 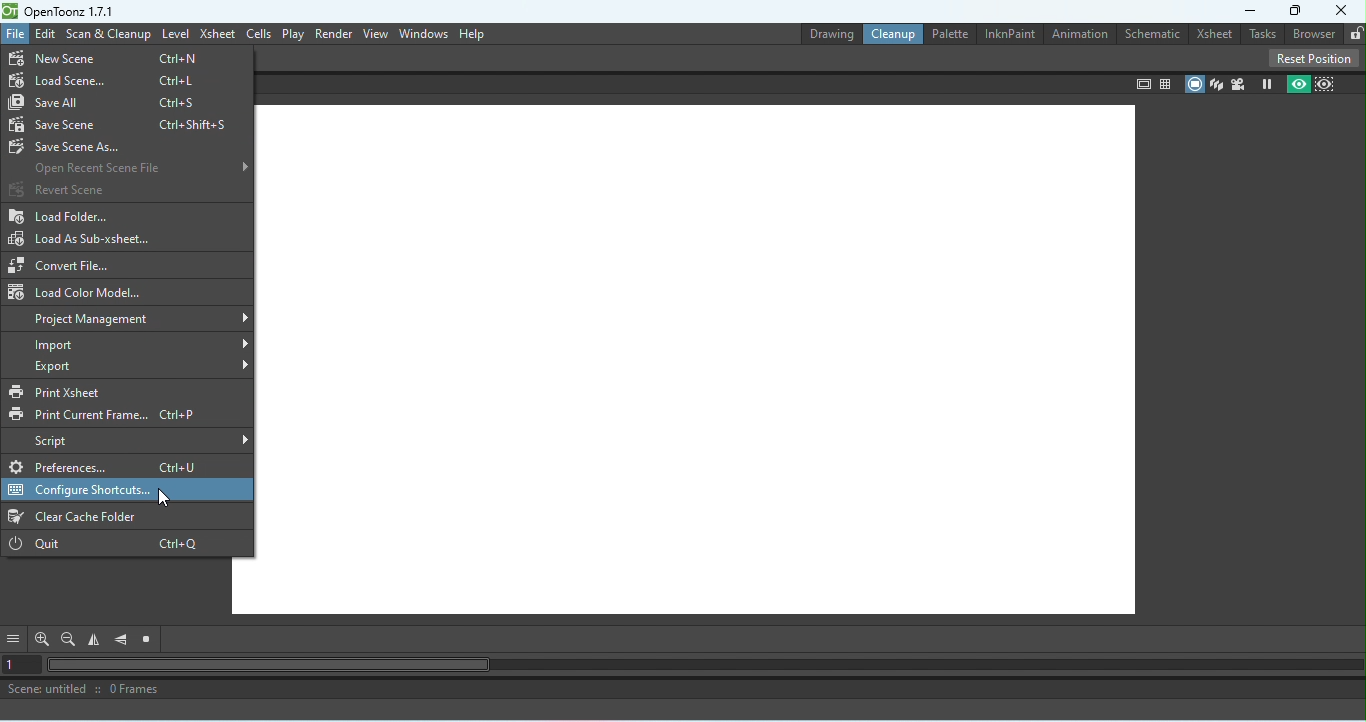 What do you see at coordinates (98, 264) in the screenshot?
I see `Convert file` at bounding box center [98, 264].